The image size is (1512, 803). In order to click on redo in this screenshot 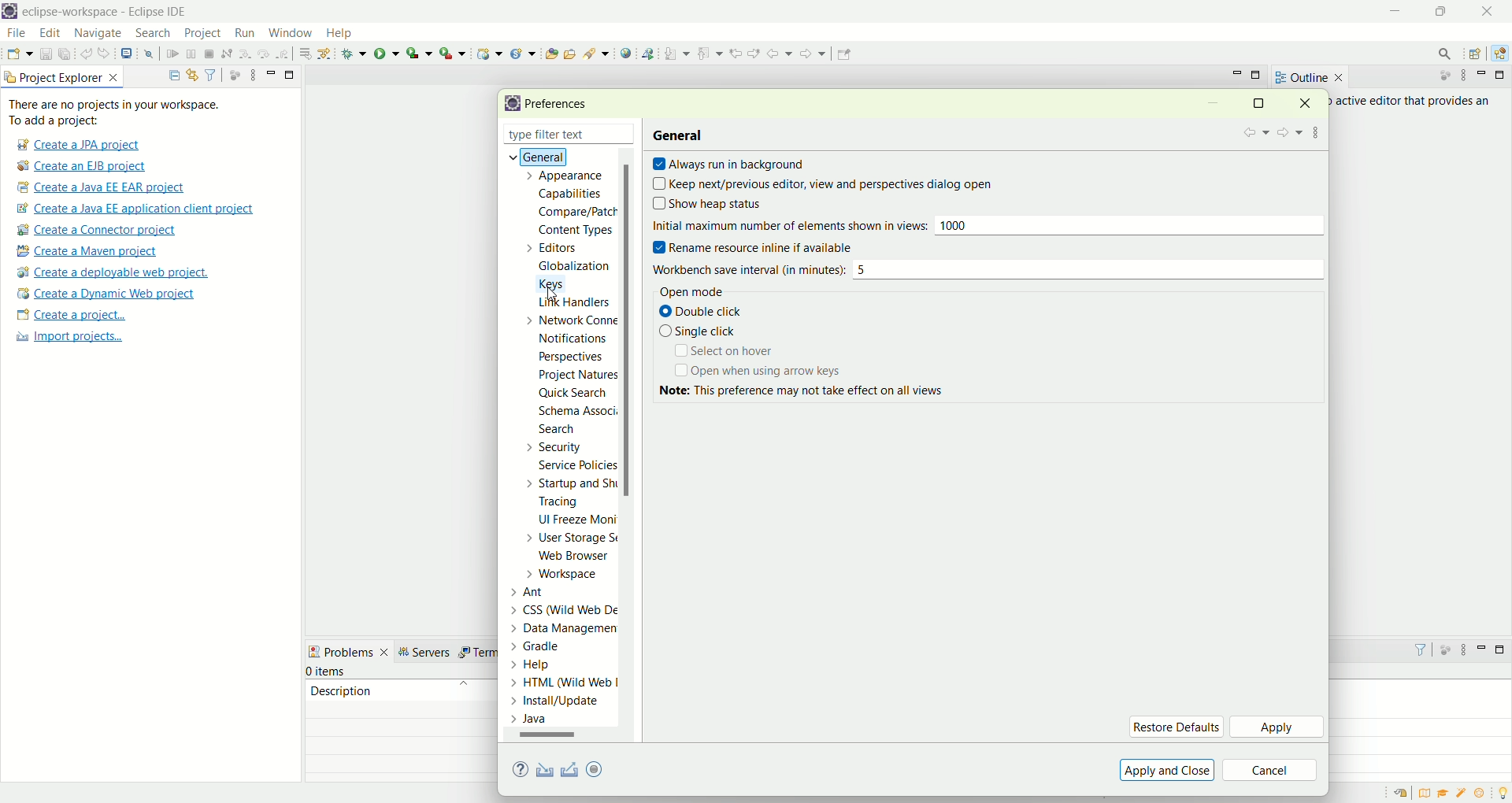, I will do `click(107, 54)`.